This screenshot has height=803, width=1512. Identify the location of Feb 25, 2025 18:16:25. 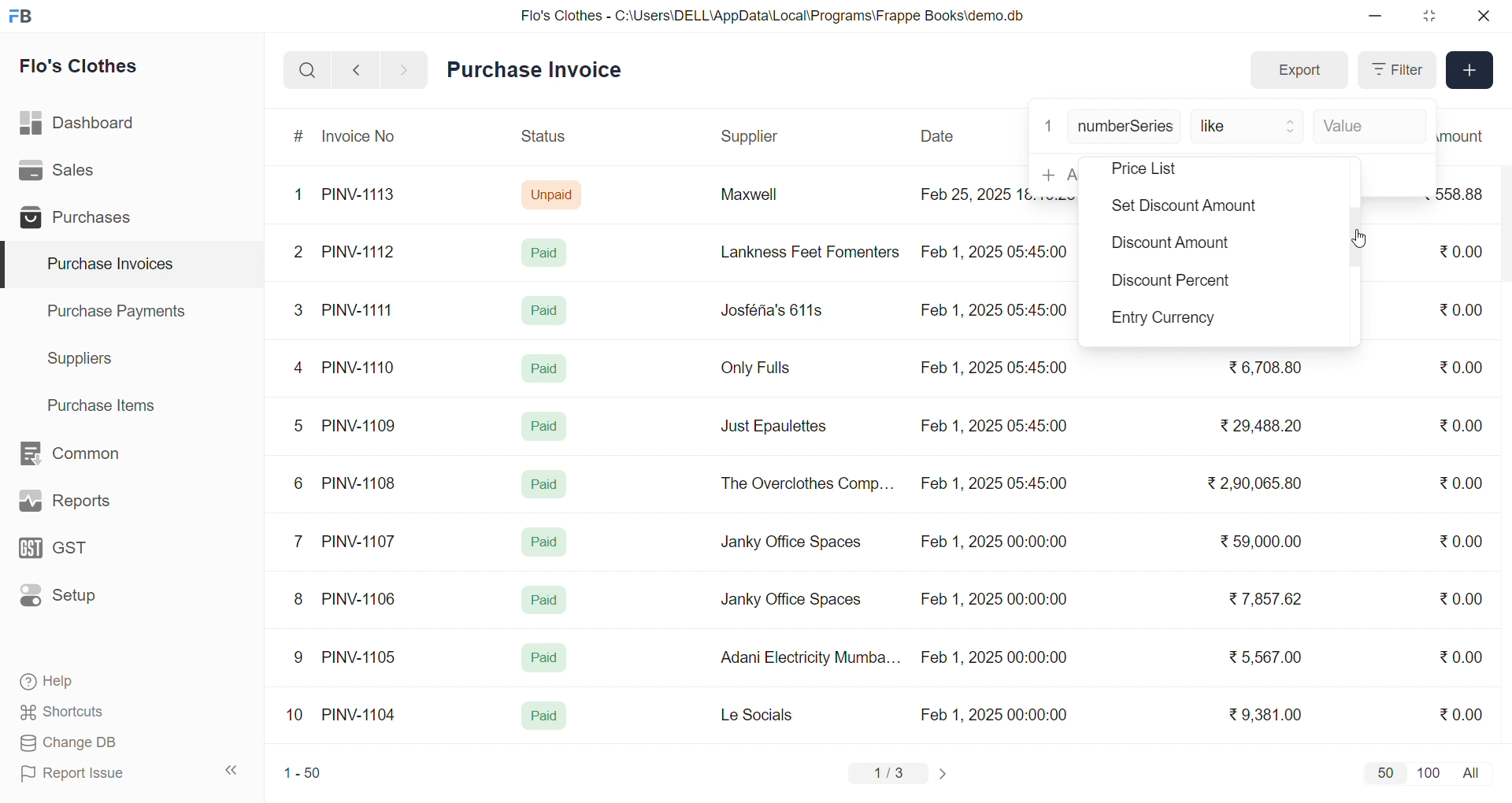
(972, 194).